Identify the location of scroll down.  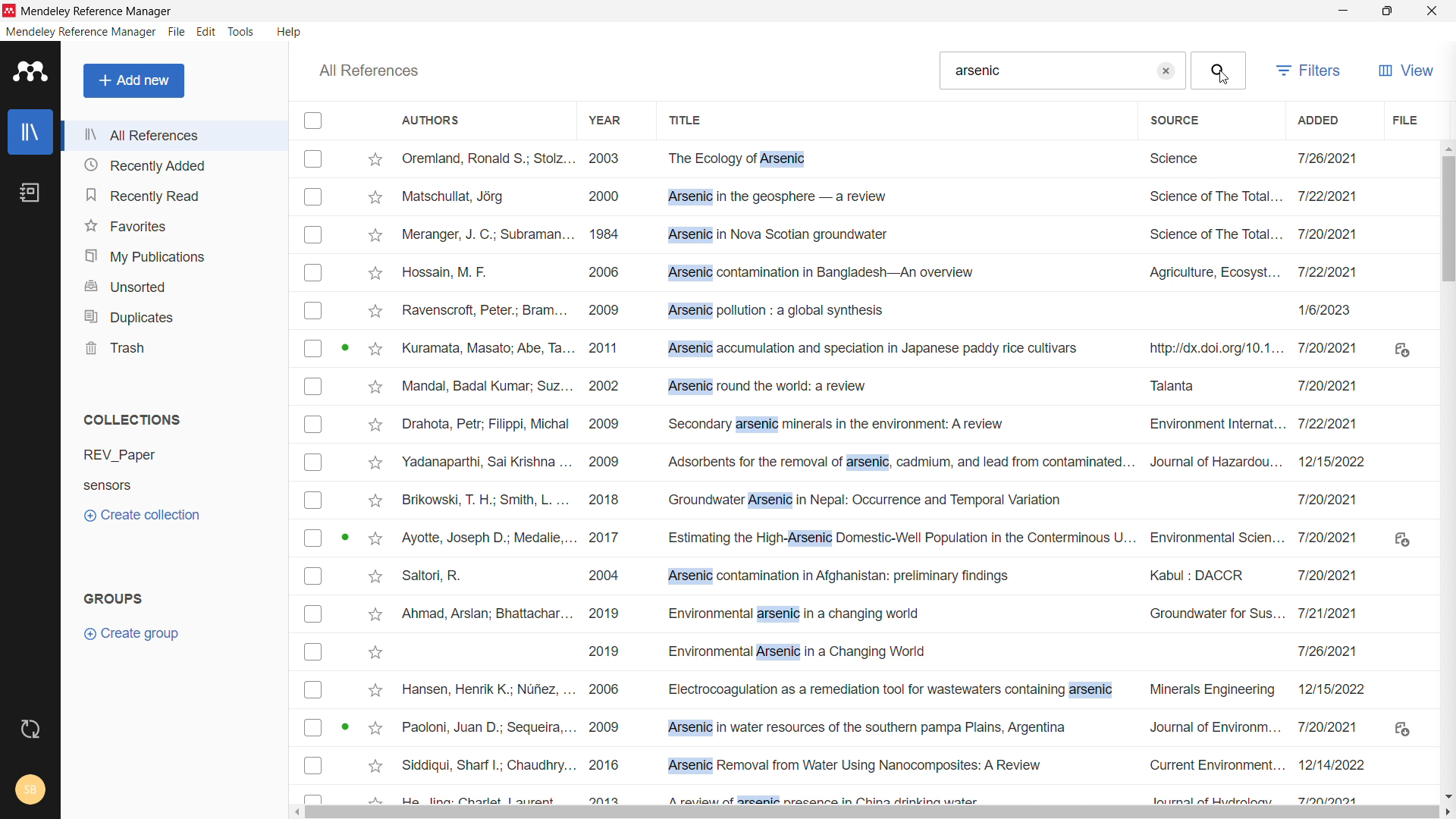
(1447, 793).